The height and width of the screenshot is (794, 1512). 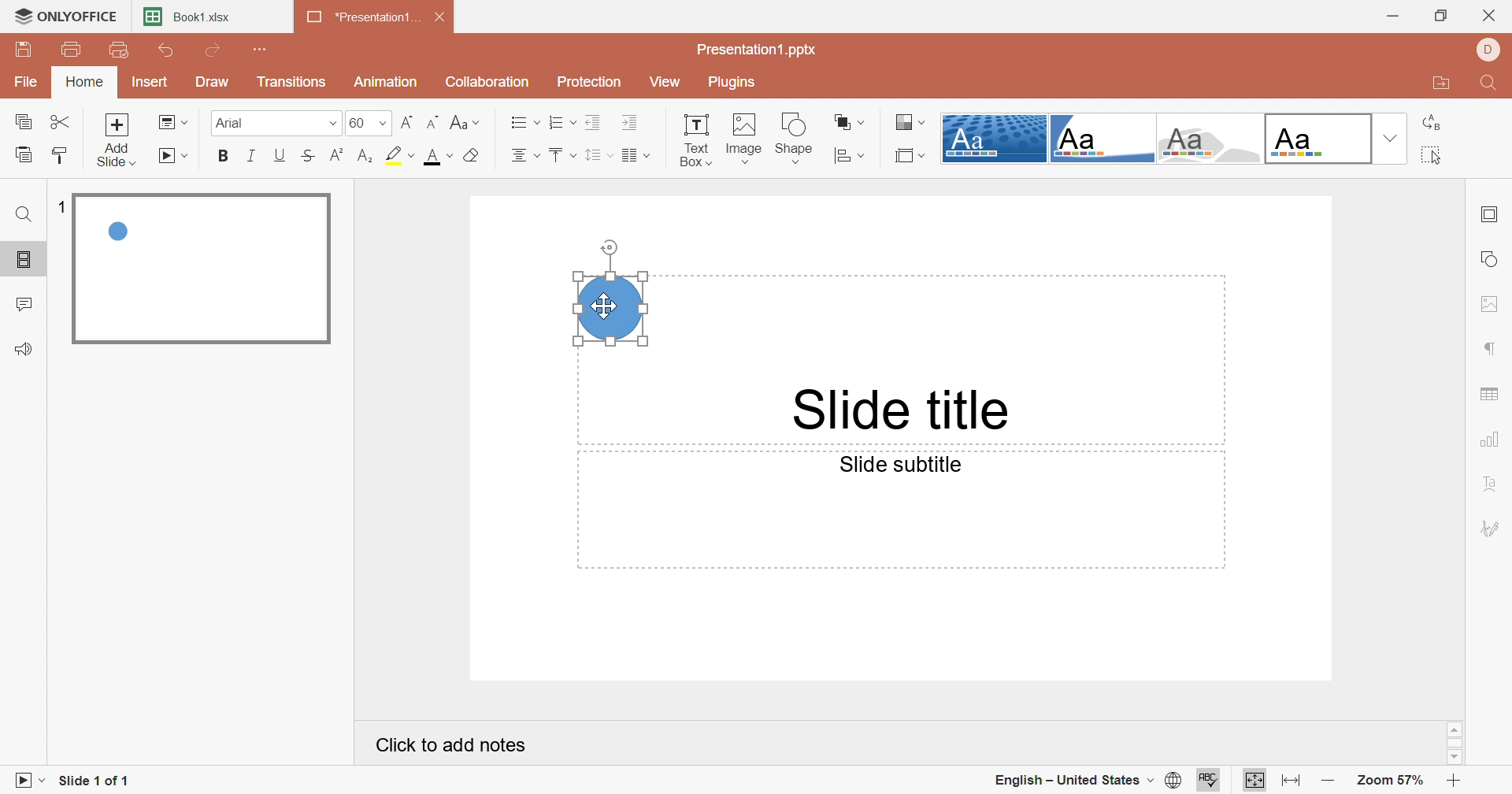 What do you see at coordinates (1494, 12) in the screenshot?
I see `Close` at bounding box center [1494, 12].